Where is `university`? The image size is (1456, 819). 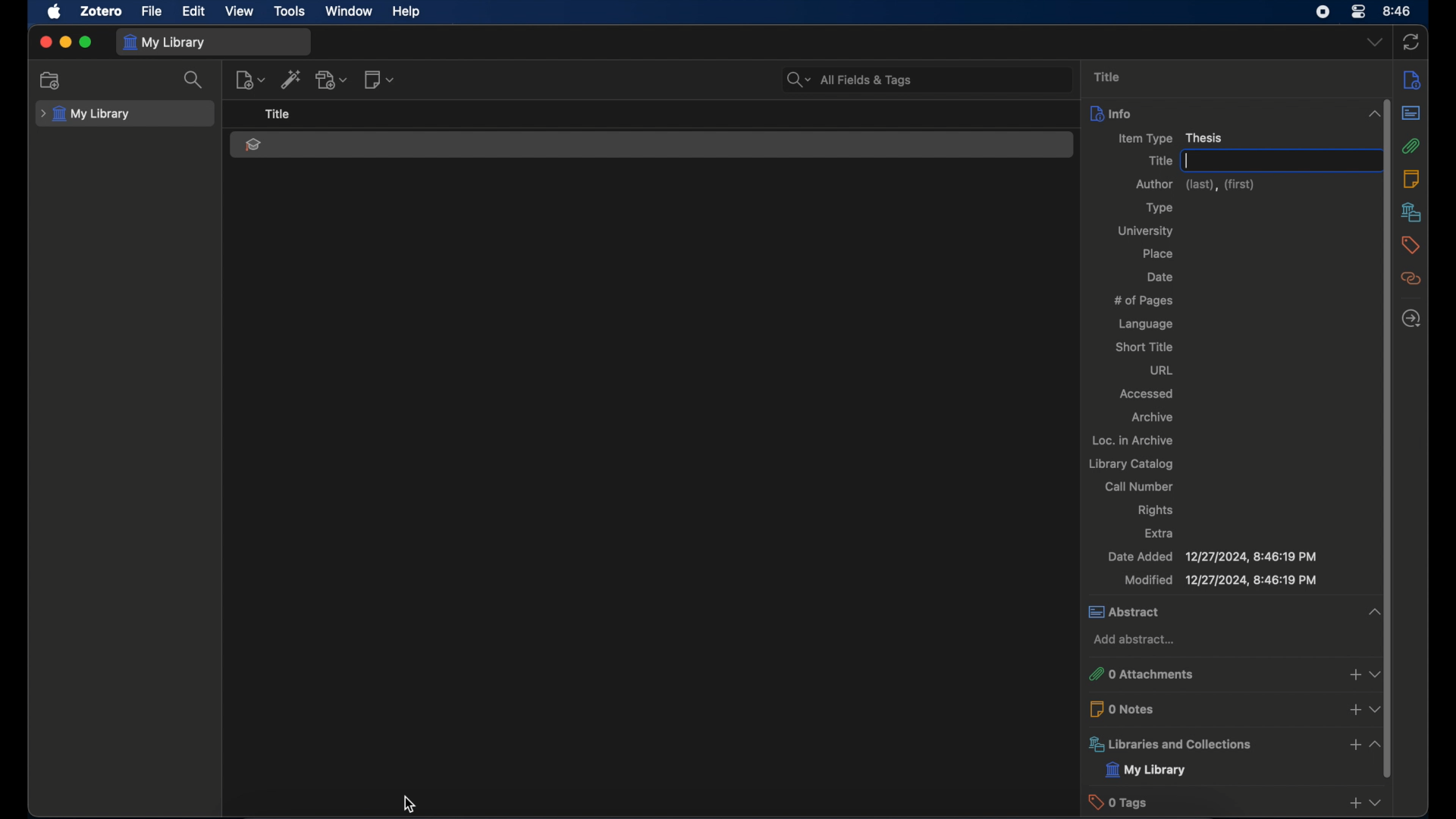
university is located at coordinates (1148, 231).